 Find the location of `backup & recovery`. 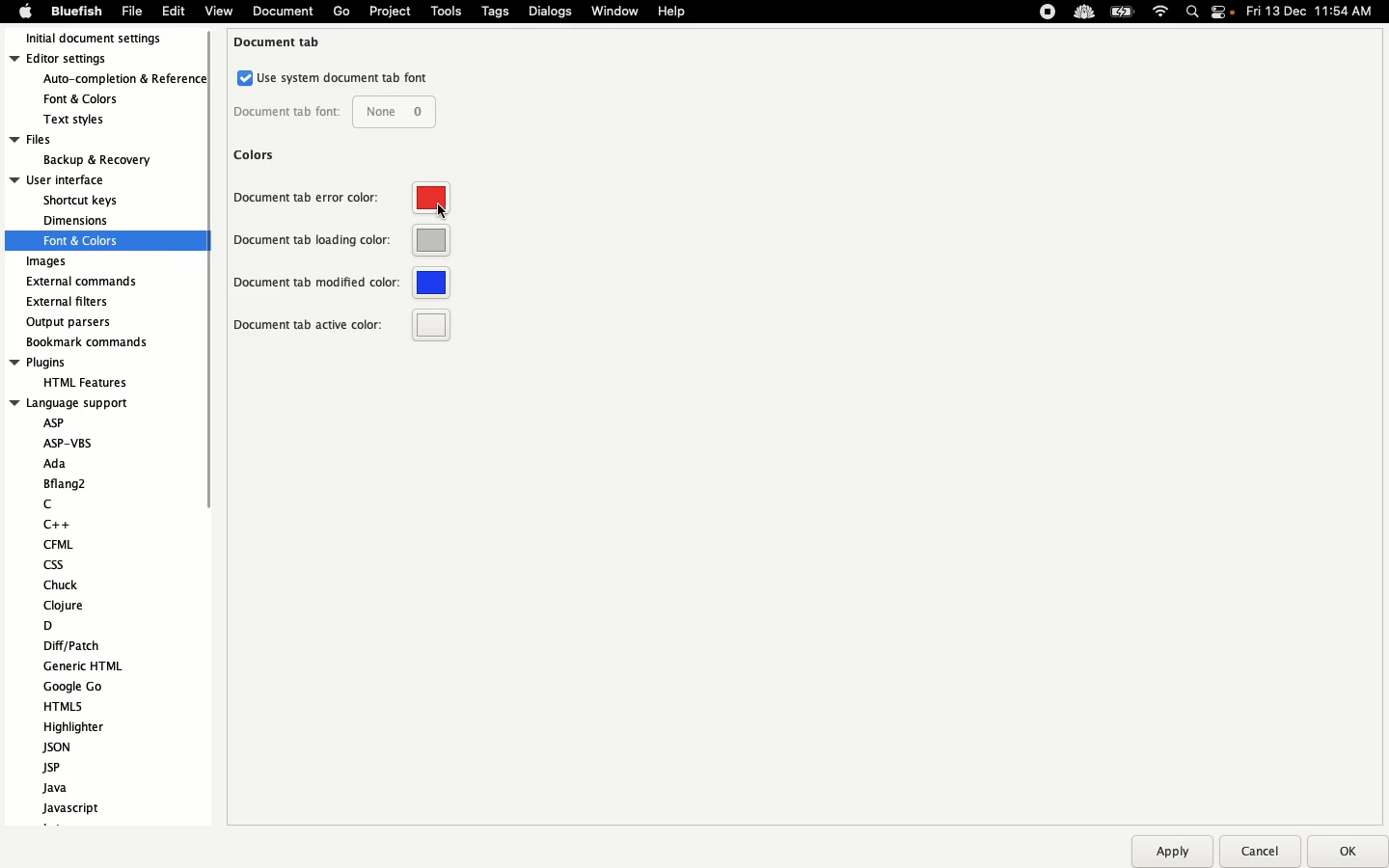

backup & recovery is located at coordinates (95, 160).